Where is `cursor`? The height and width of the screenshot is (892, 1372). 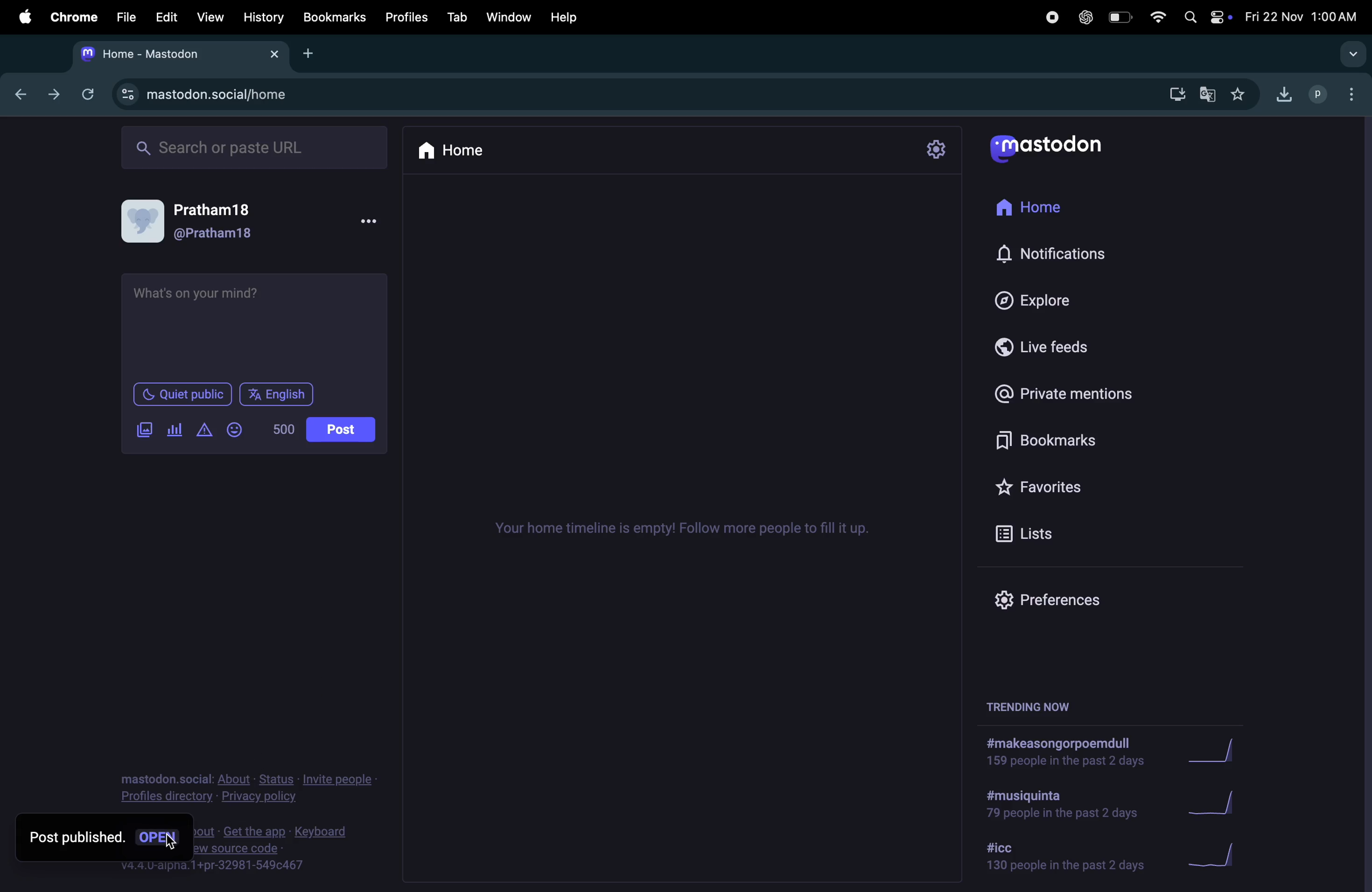
cursor is located at coordinates (171, 843).